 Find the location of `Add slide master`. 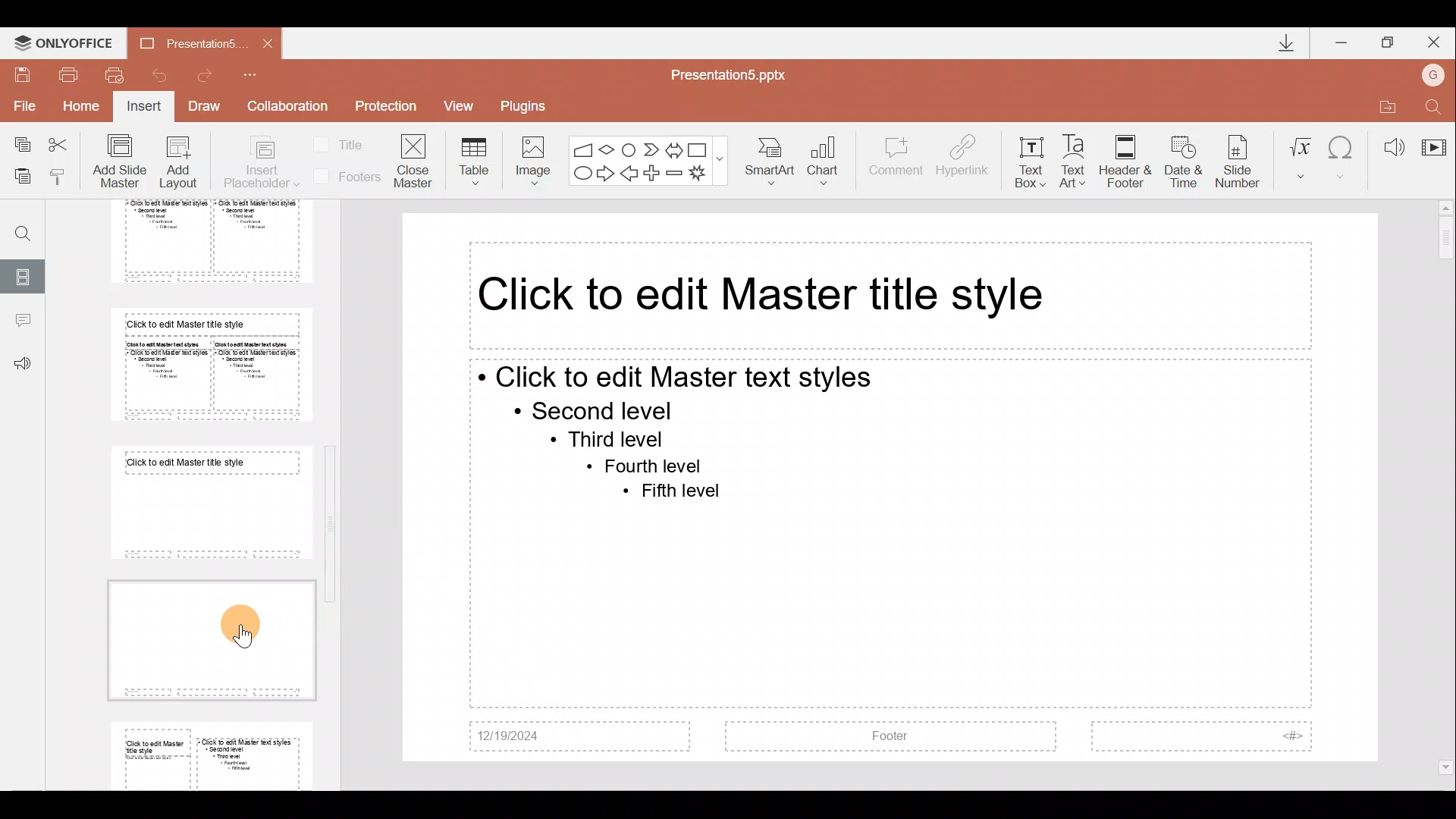

Add slide master is located at coordinates (123, 162).